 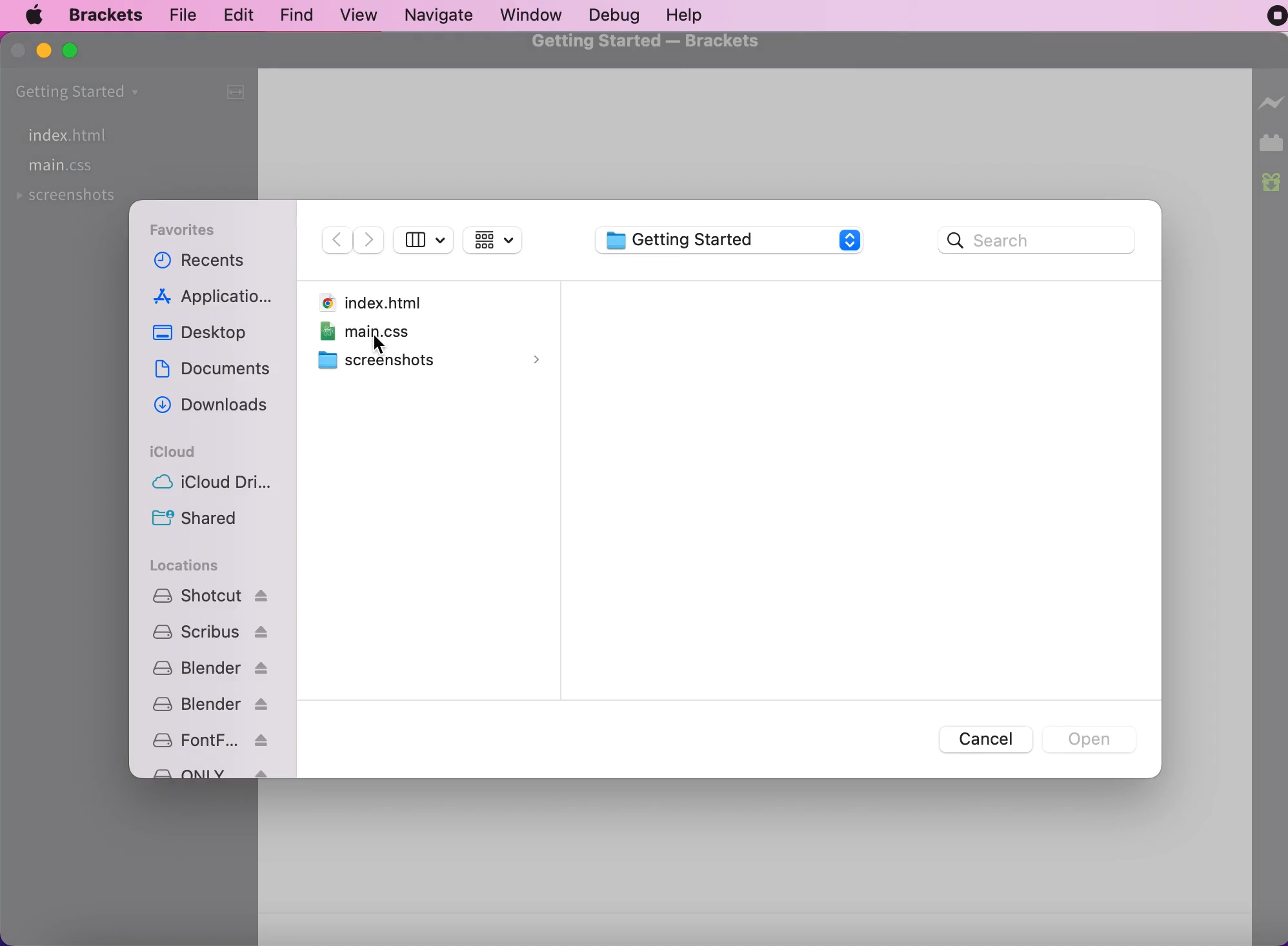 What do you see at coordinates (102, 134) in the screenshot?
I see `index.html` at bounding box center [102, 134].